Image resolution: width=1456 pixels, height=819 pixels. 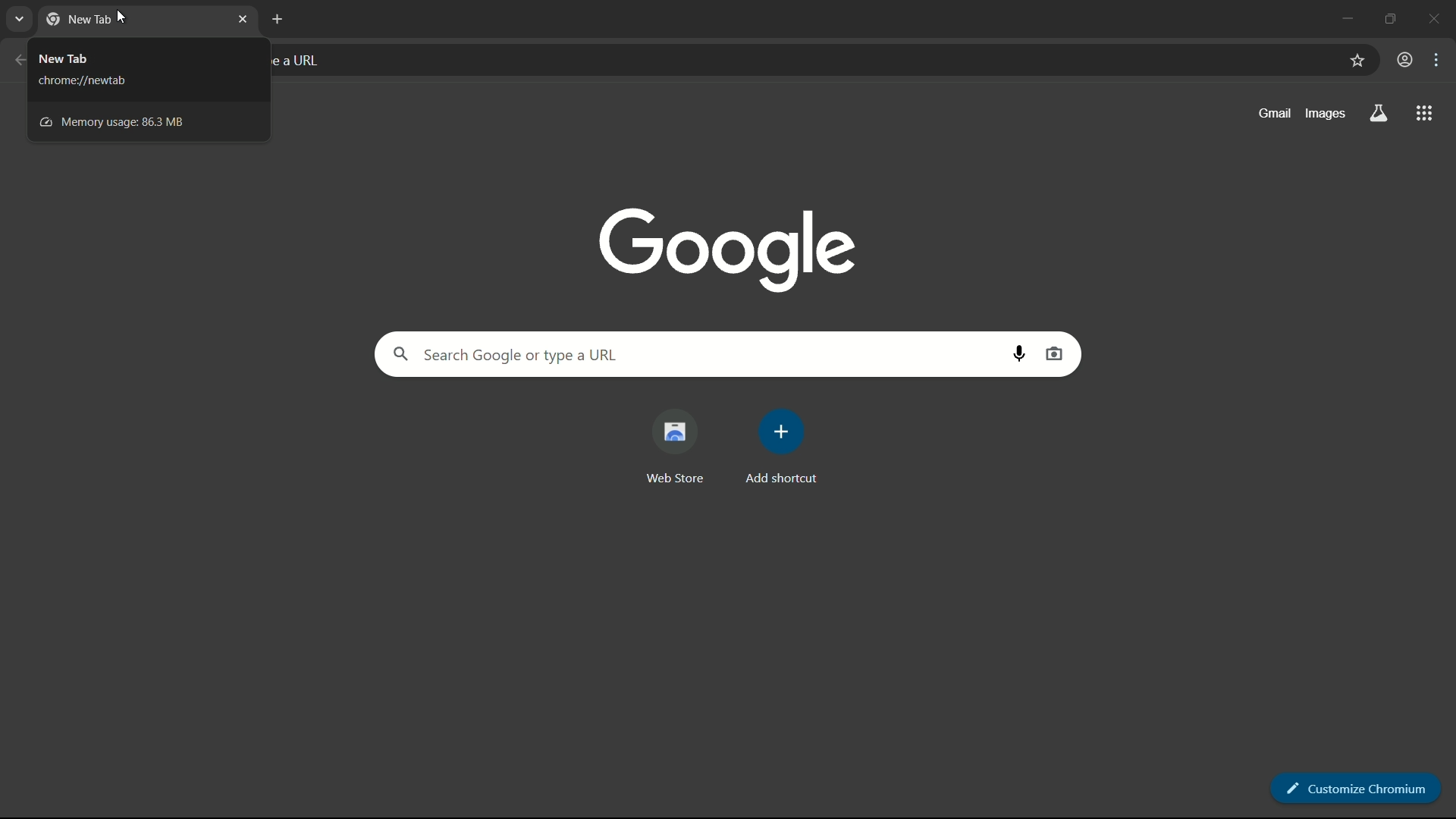 I want to click on open new tab, so click(x=278, y=20).